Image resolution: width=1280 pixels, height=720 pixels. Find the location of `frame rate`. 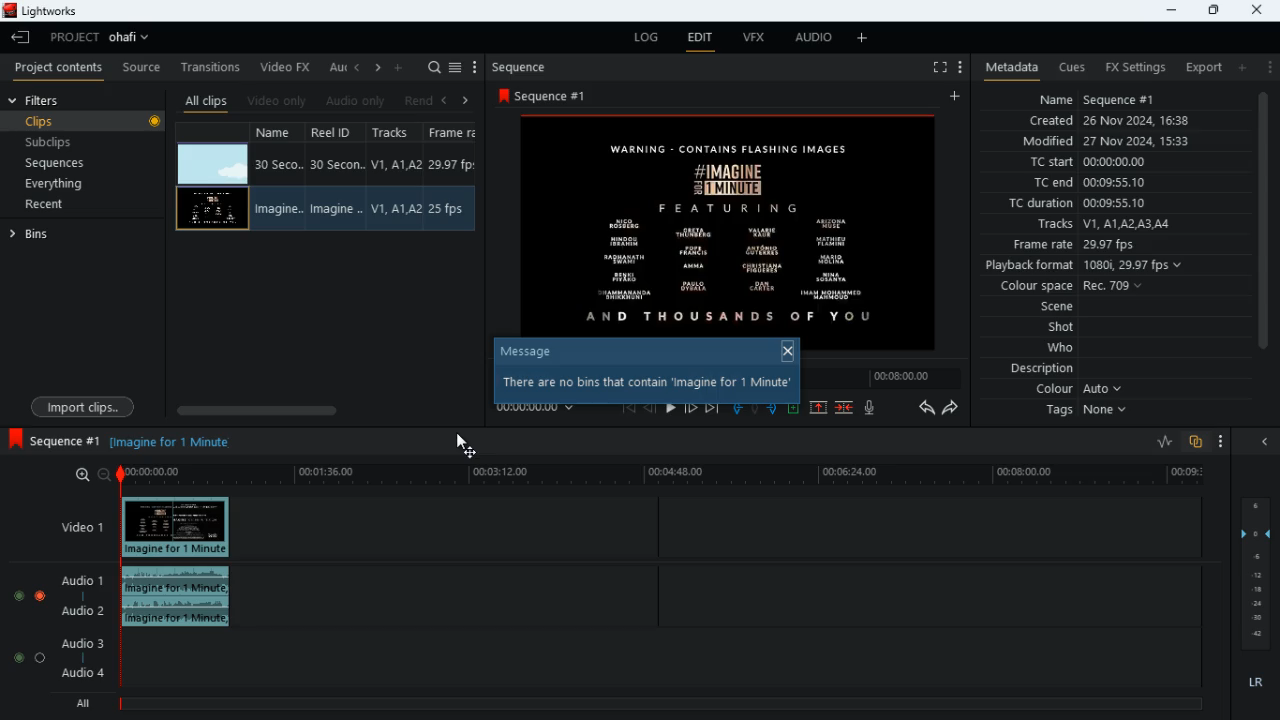

frame rate is located at coordinates (1095, 244).